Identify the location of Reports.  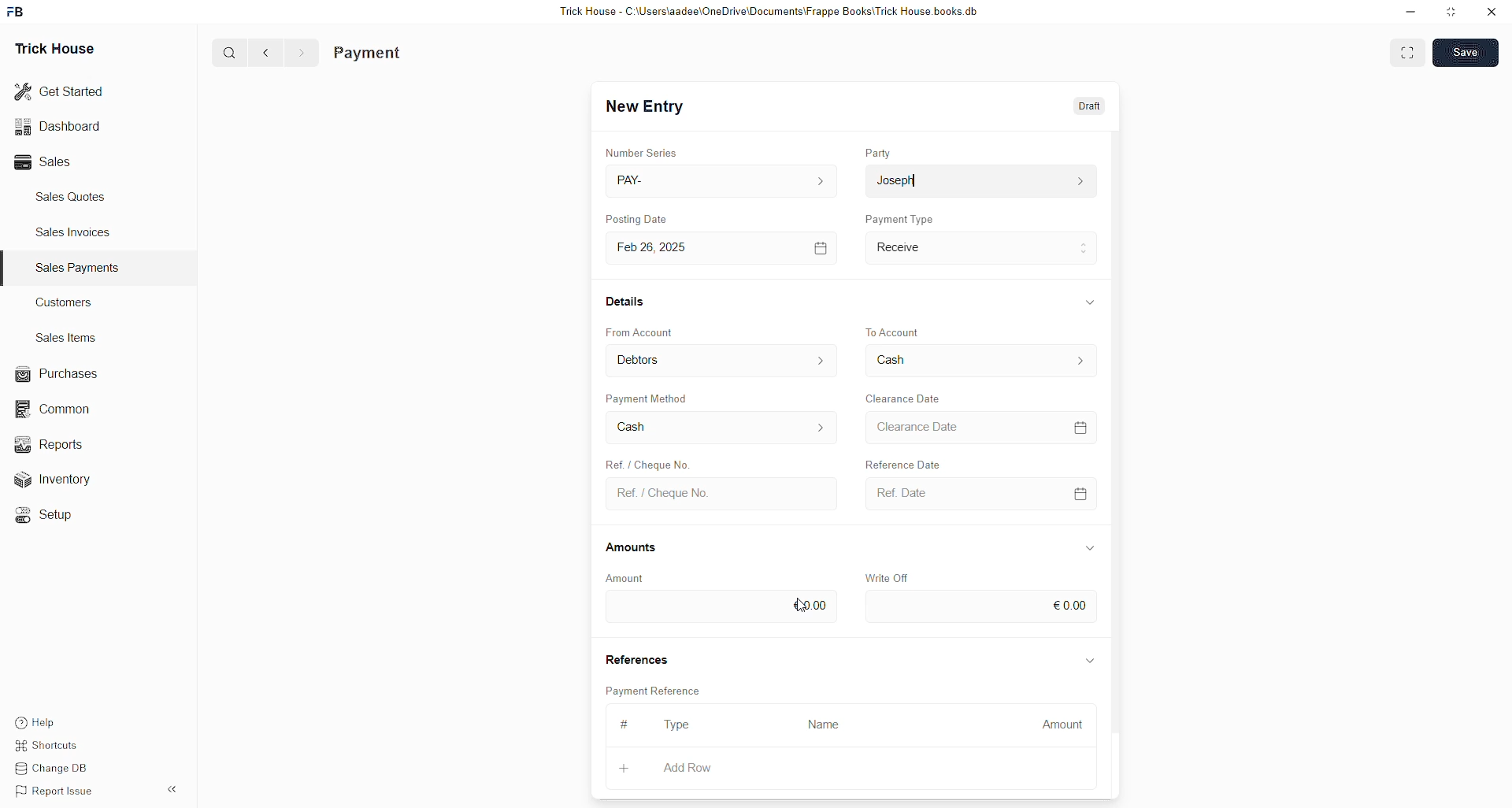
(59, 443).